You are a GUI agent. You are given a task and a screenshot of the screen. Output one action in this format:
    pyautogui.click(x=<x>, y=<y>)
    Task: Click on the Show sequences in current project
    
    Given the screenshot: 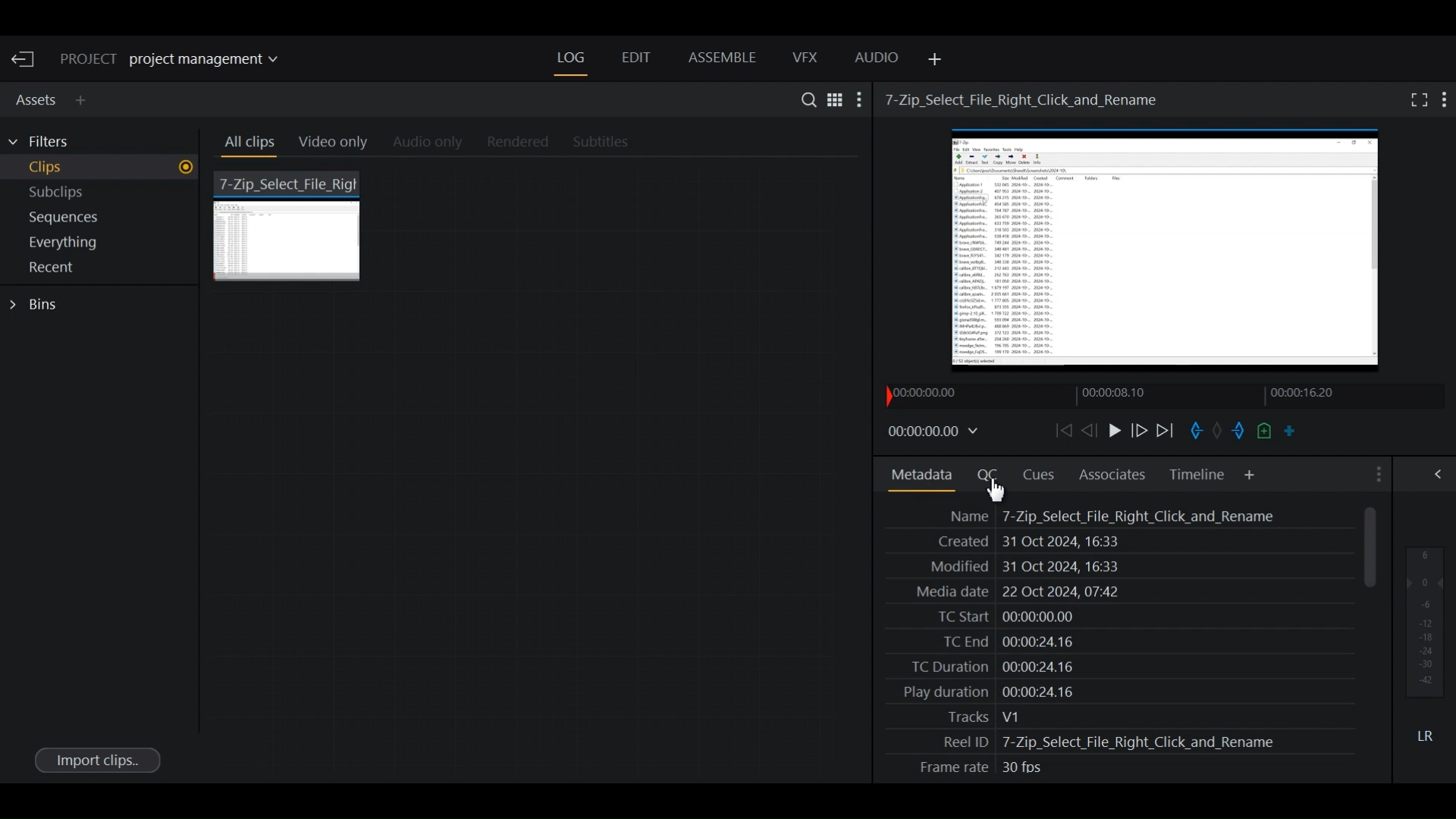 What is the action you would take?
    pyautogui.click(x=103, y=219)
    